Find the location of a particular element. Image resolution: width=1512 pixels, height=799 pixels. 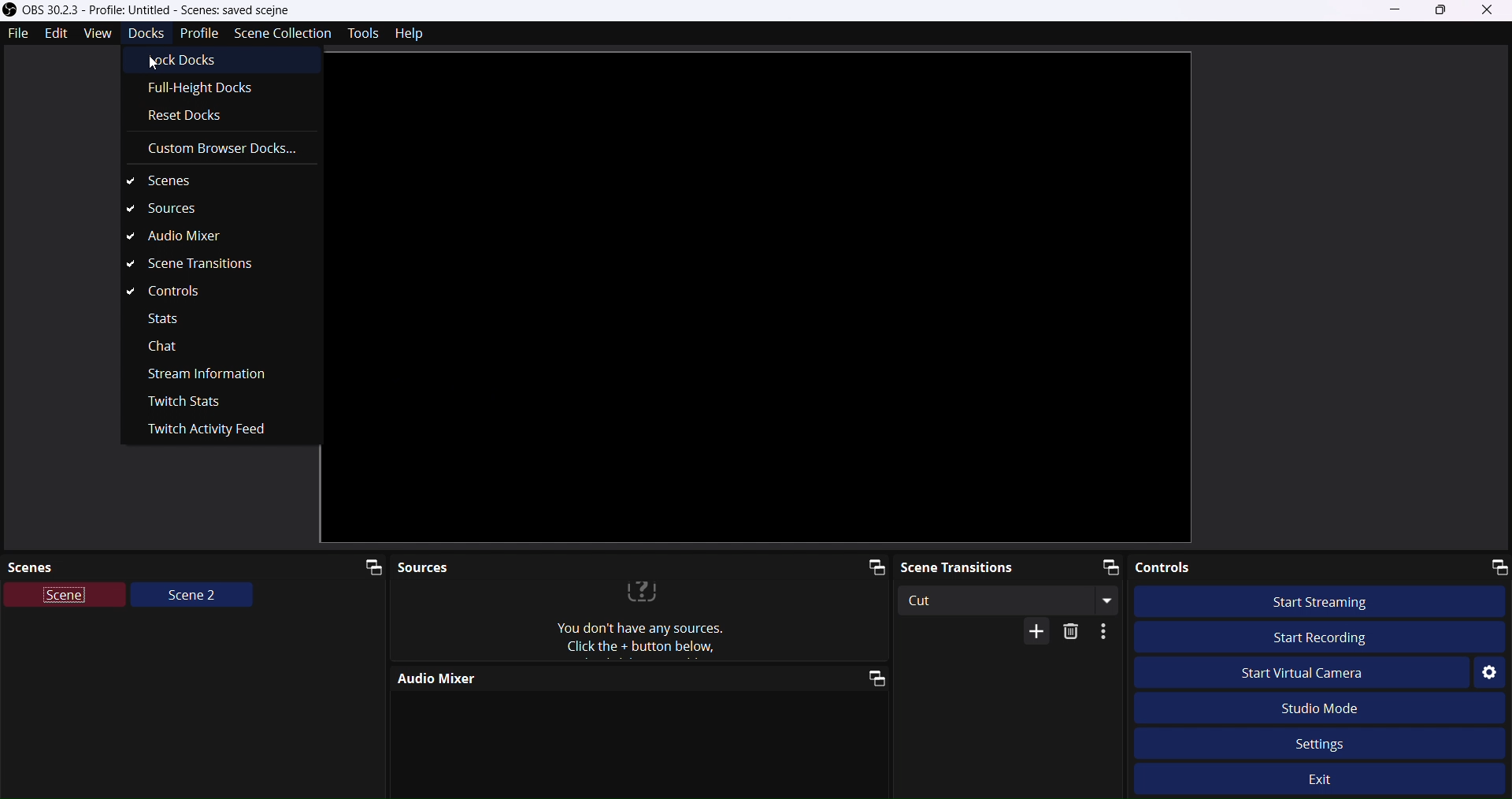

Docks is located at coordinates (143, 34).